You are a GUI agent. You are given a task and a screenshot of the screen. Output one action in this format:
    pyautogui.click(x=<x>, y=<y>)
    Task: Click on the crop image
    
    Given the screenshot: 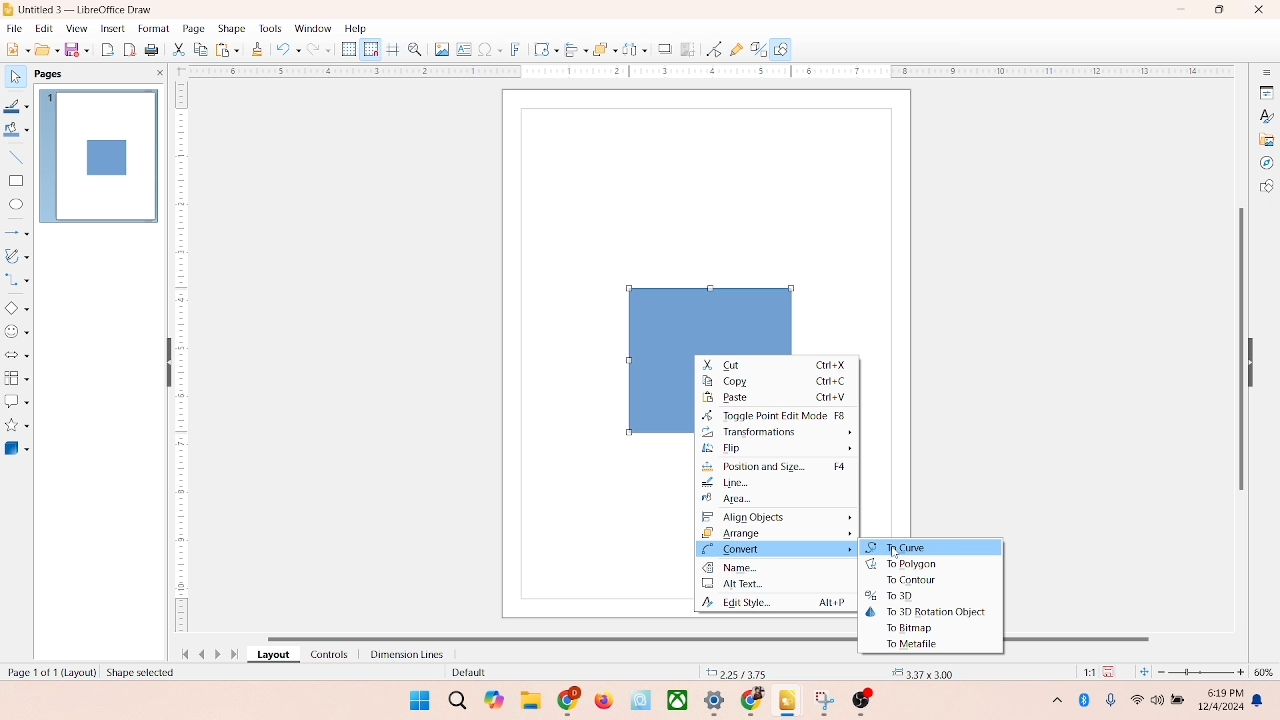 What is the action you would take?
    pyautogui.click(x=688, y=49)
    